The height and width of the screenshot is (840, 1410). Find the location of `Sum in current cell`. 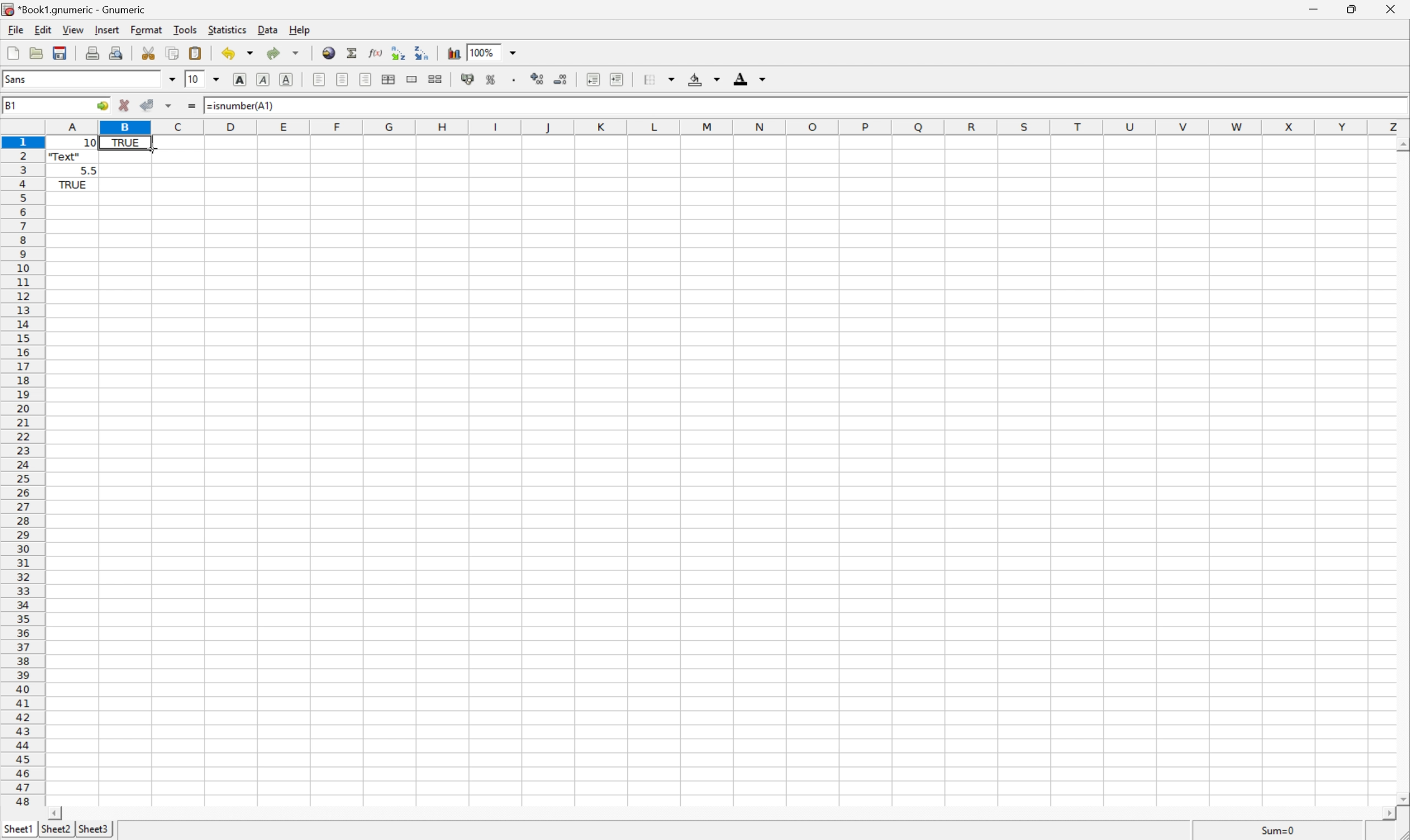

Sum in current cell is located at coordinates (353, 53).